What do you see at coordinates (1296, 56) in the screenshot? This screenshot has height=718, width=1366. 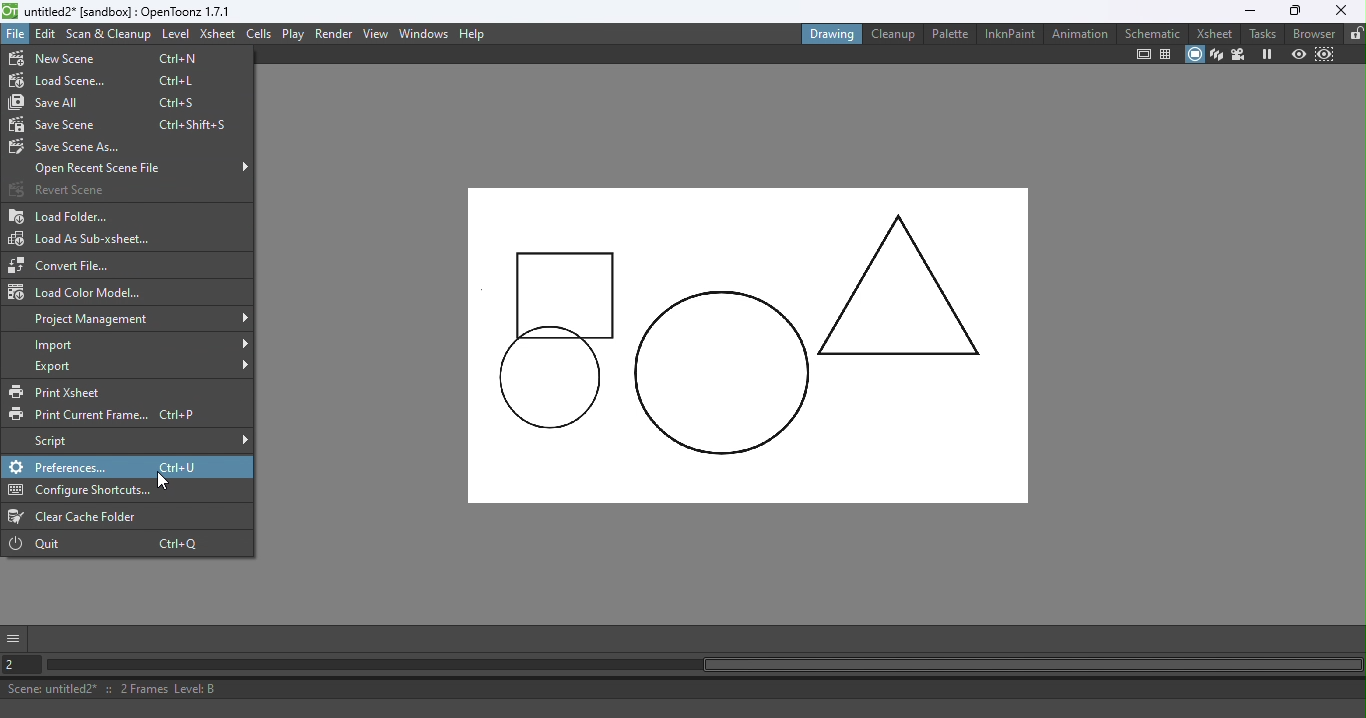 I see `Preview` at bounding box center [1296, 56].